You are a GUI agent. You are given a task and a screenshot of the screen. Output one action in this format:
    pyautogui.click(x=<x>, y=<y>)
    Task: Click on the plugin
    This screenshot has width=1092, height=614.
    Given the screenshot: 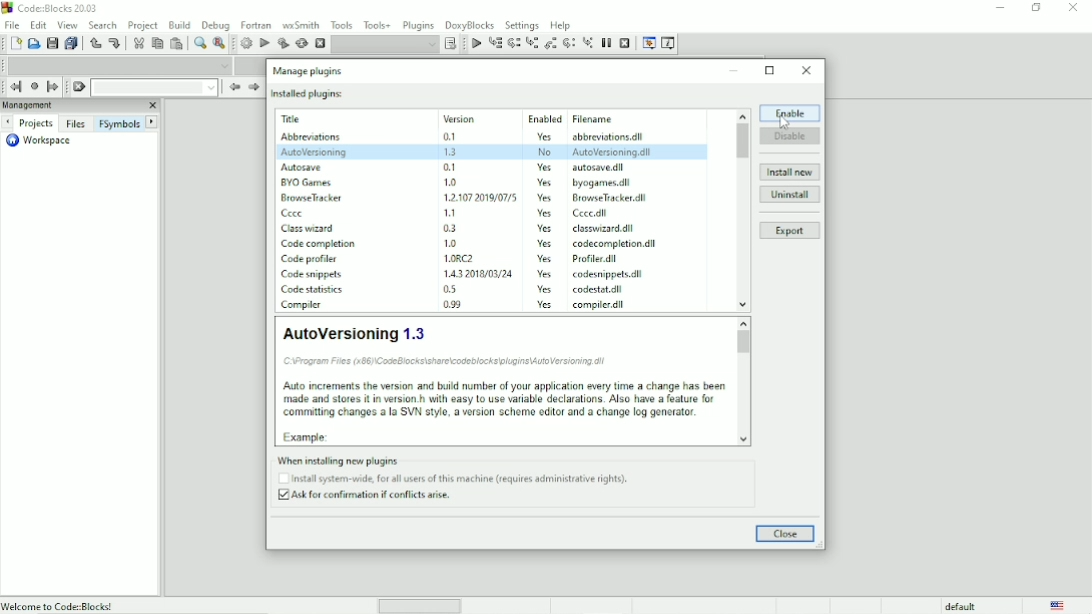 What is the action you would take?
    pyautogui.click(x=303, y=304)
    